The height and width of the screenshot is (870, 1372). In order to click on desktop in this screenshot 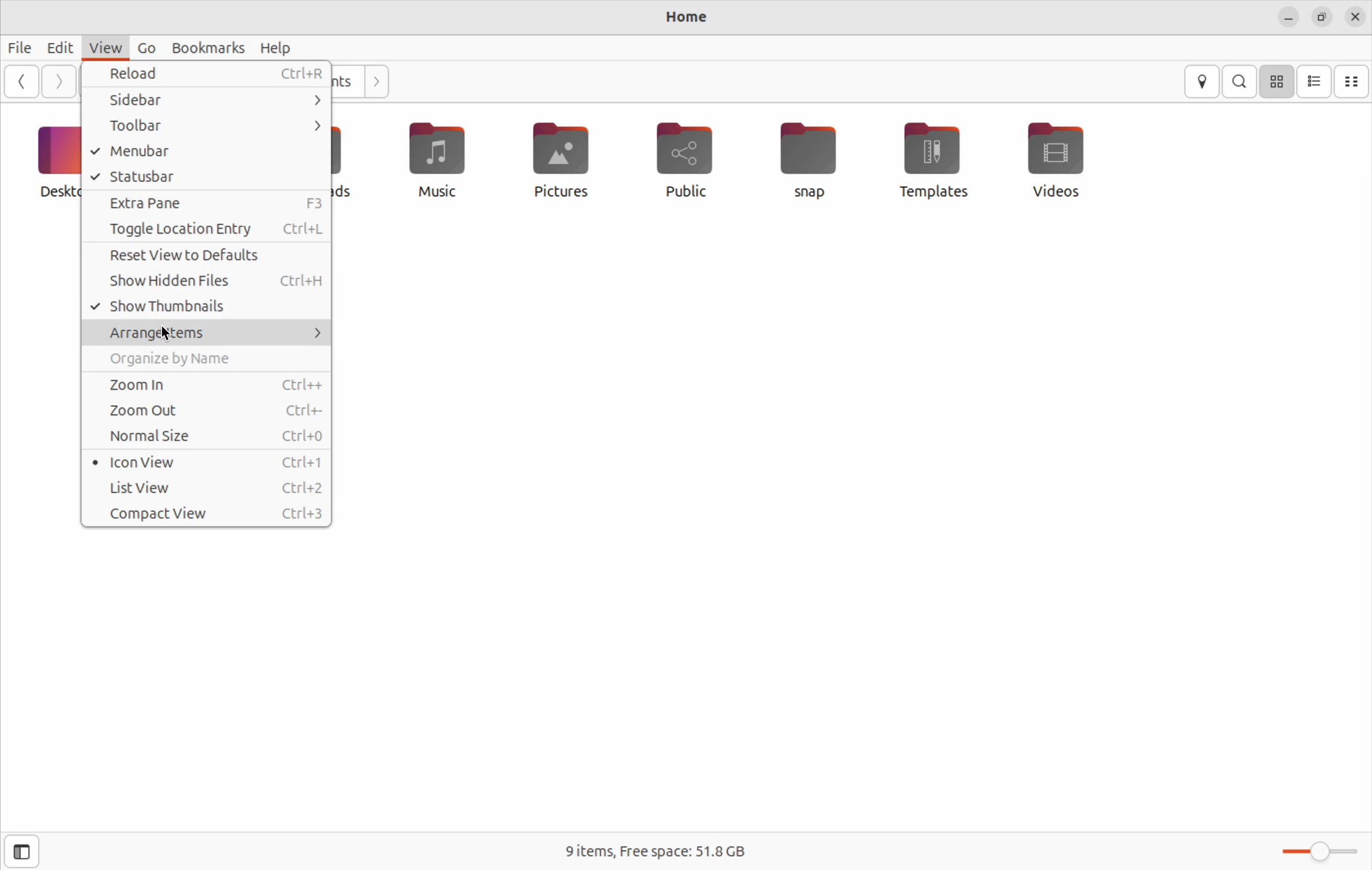, I will do `click(56, 159)`.